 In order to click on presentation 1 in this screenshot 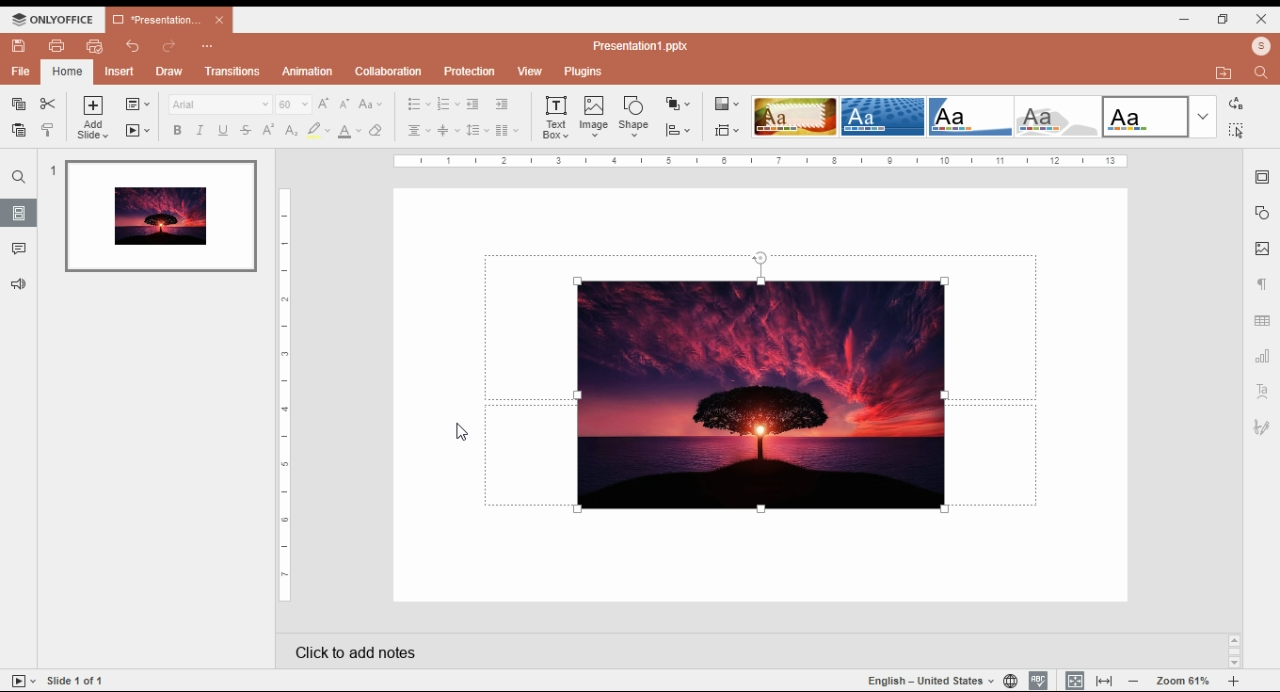, I will do `click(168, 19)`.